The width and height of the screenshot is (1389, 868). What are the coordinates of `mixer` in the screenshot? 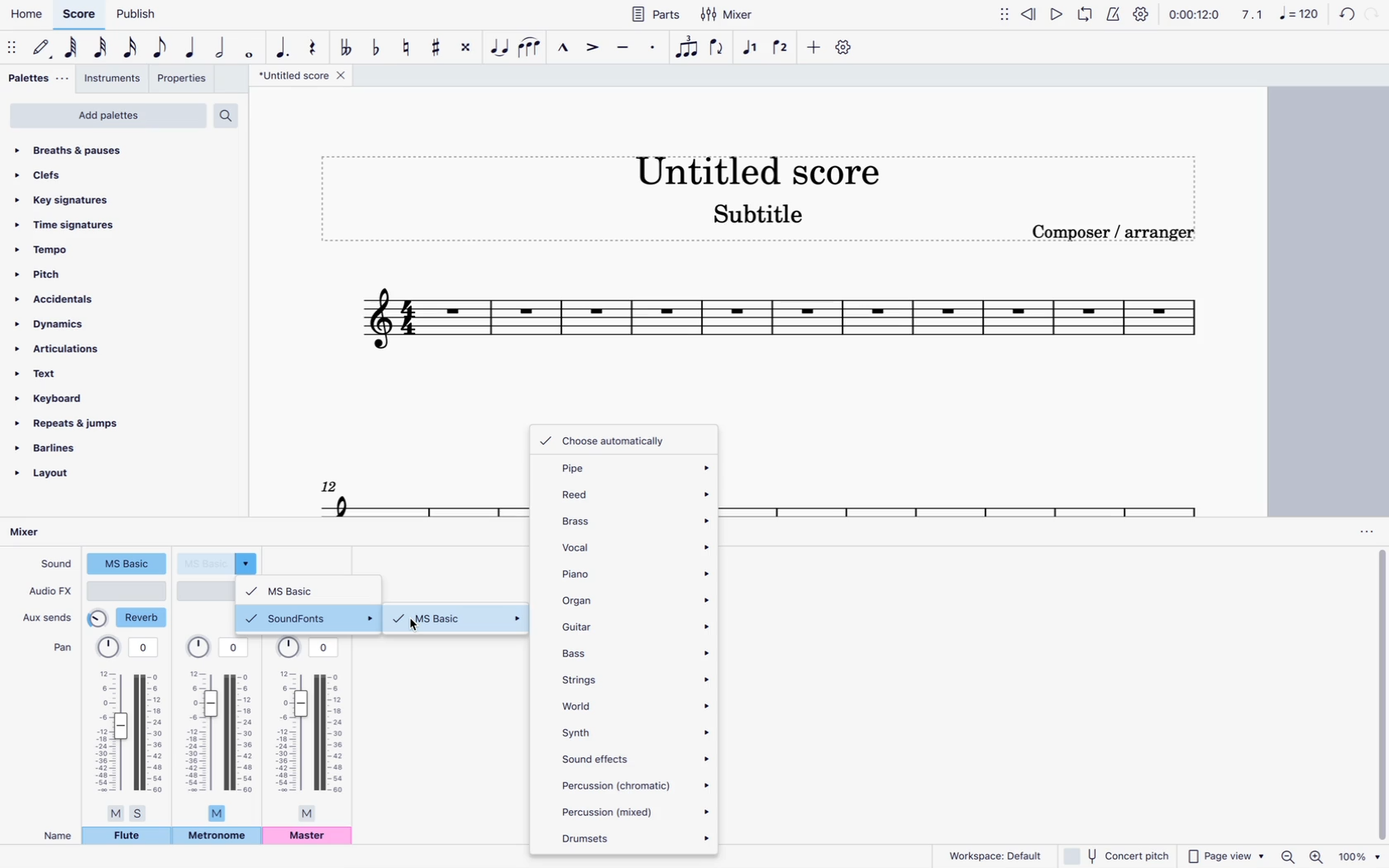 It's located at (32, 532).